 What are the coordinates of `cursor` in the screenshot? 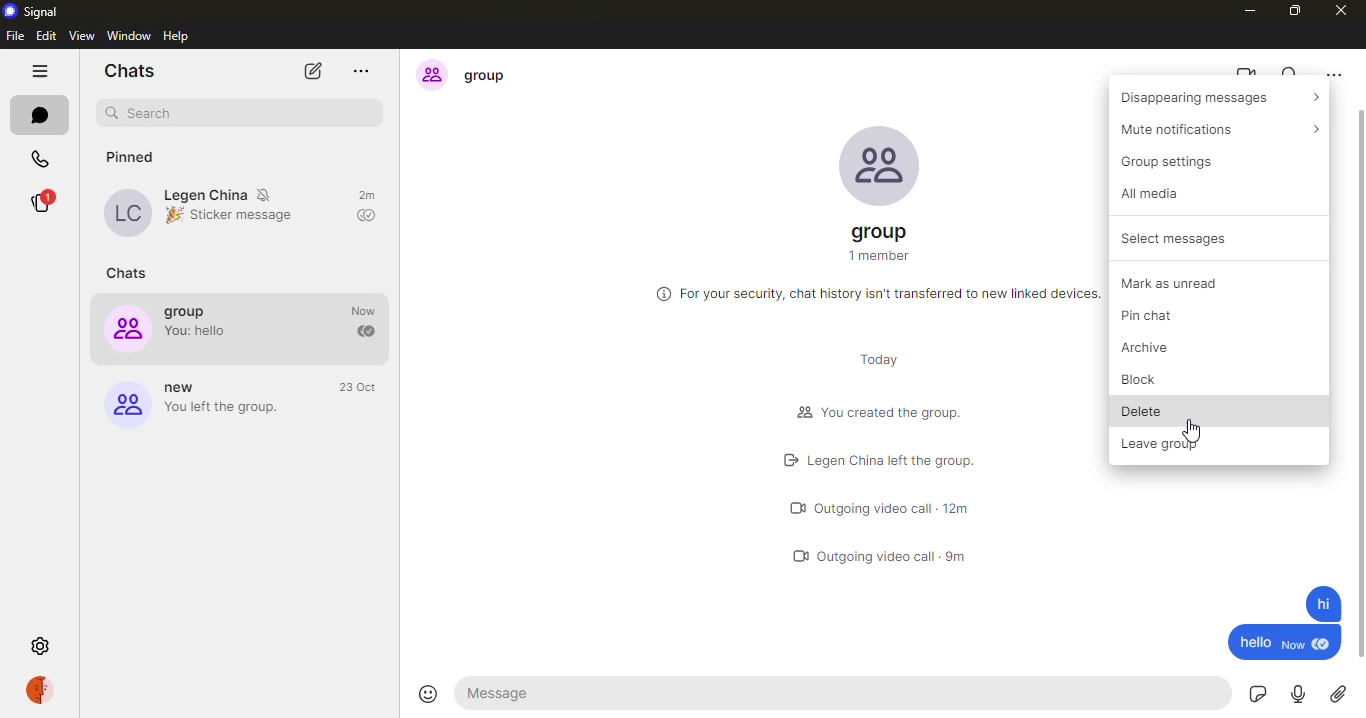 It's located at (1194, 427).